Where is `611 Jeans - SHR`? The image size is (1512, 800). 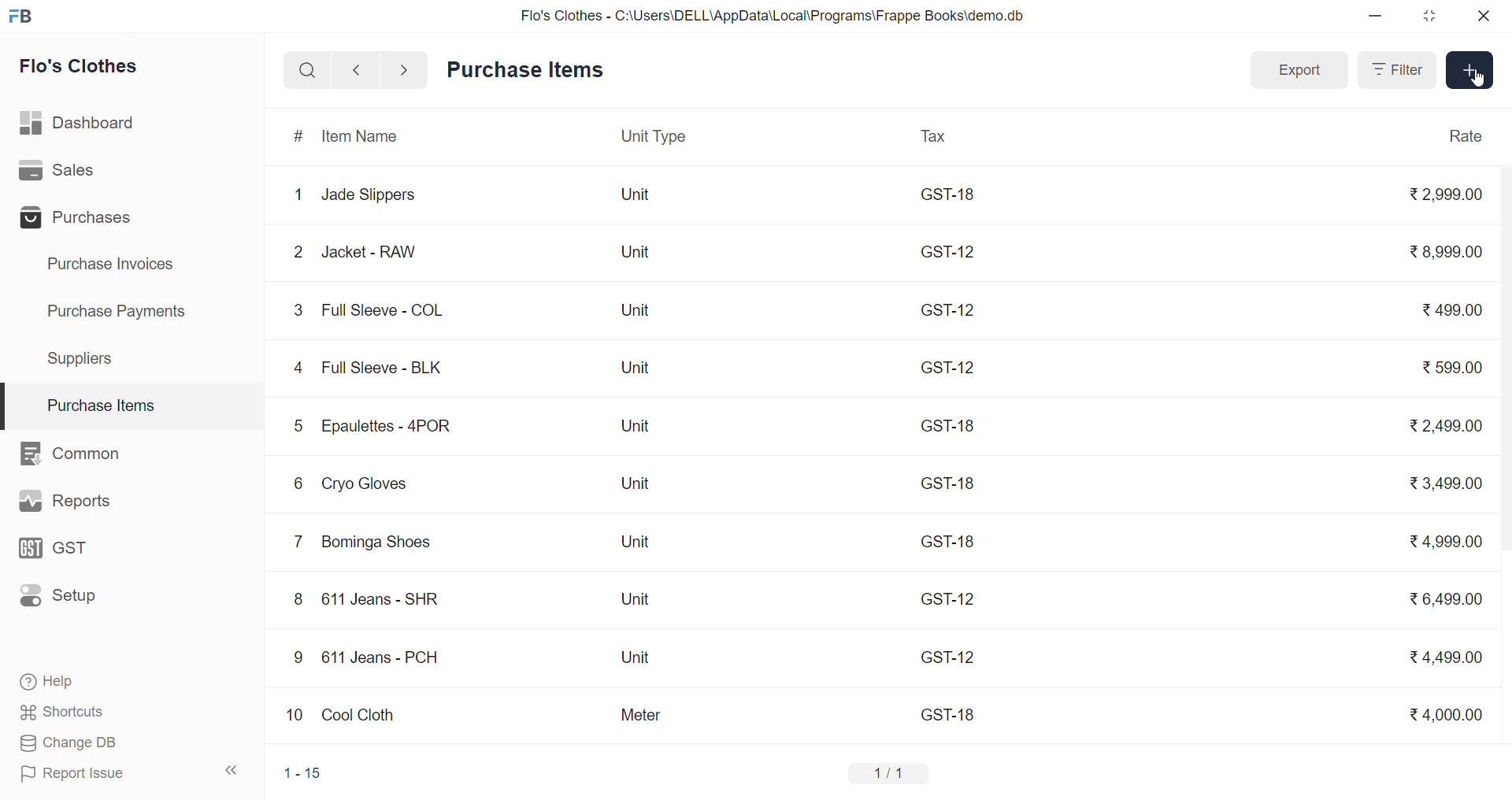 611 Jeans - SHR is located at coordinates (382, 598).